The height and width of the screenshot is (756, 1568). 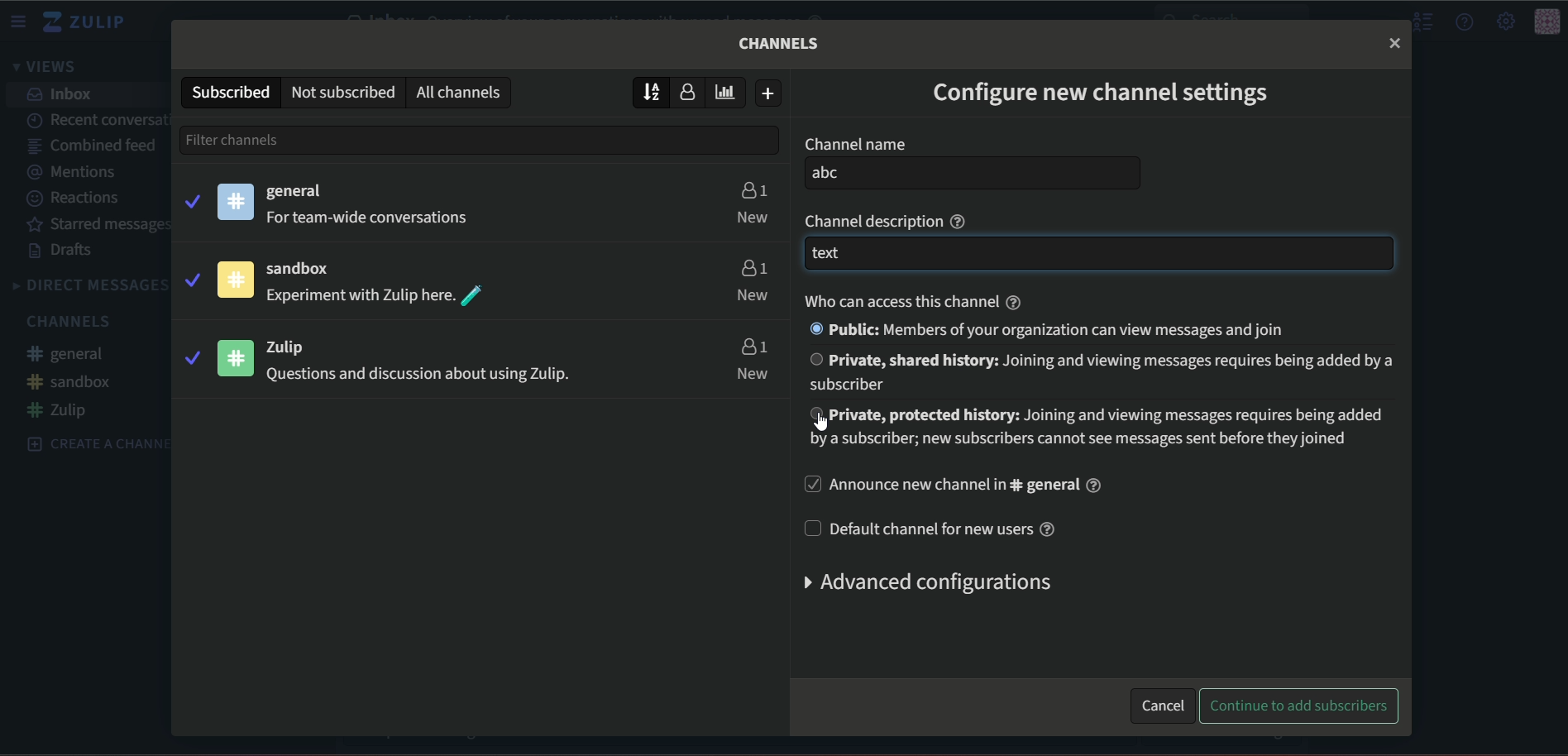 I want to click on channel description, so click(x=889, y=219).